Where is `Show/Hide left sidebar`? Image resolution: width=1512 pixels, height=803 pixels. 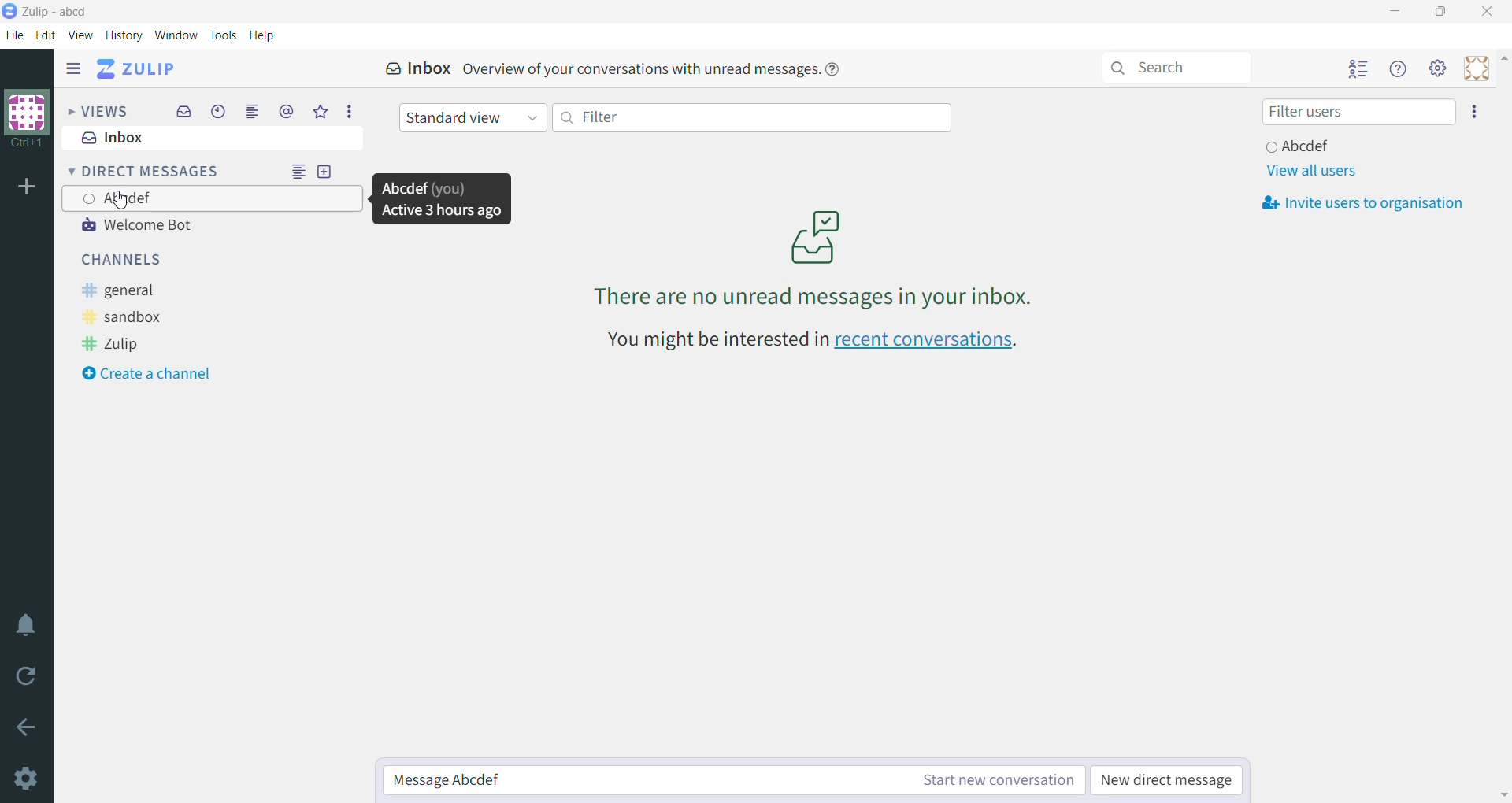
Show/Hide left sidebar is located at coordinates (73, 68).